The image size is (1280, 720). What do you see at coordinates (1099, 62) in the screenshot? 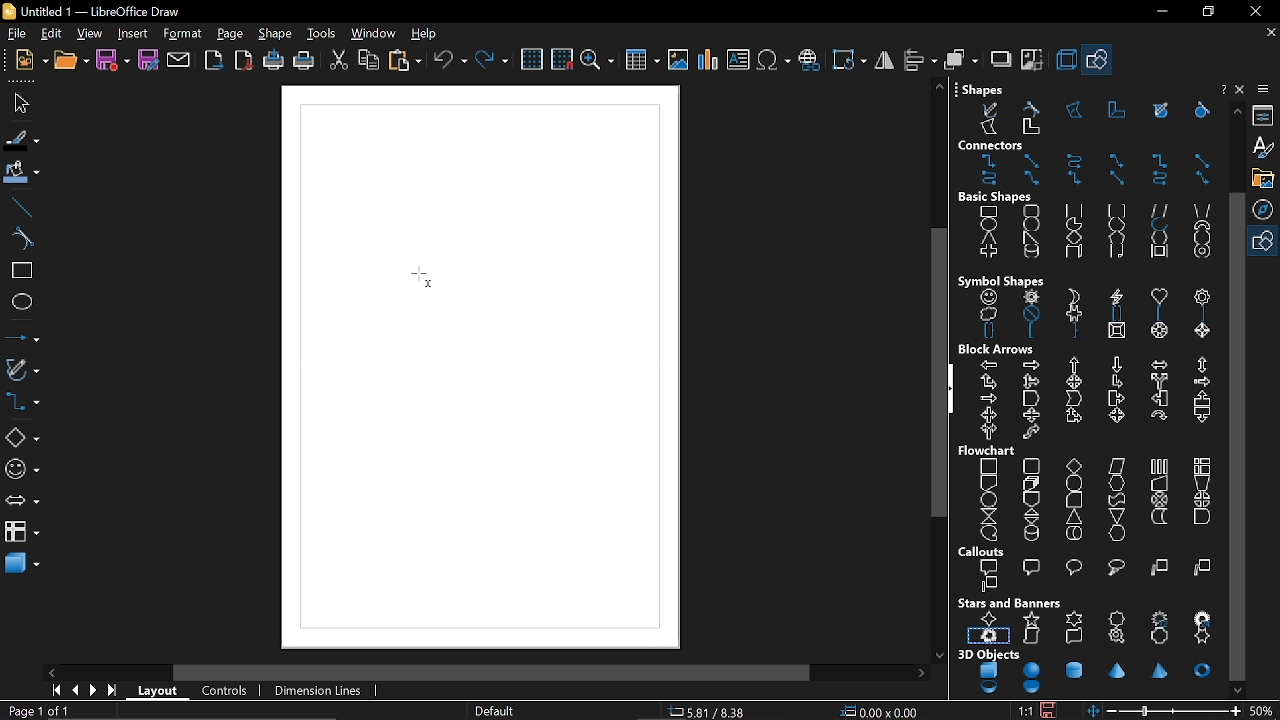
I see `Basic shapes` at bounding box center [1099, 62].